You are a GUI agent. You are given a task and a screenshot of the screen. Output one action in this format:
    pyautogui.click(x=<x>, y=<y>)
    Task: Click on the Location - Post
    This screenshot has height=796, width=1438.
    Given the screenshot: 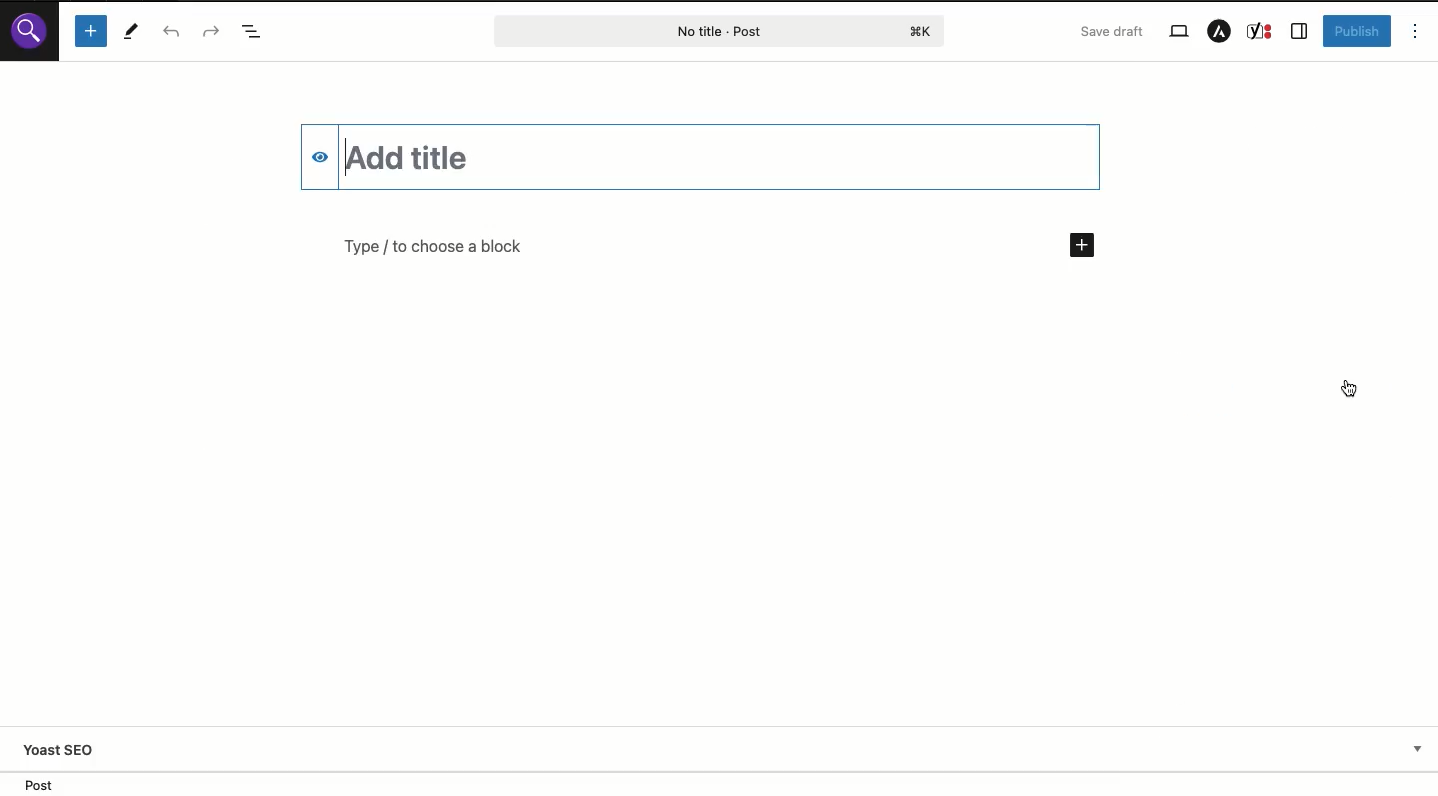 What is the action you would take?
    pyautogui.click(x=723, y=784)
    